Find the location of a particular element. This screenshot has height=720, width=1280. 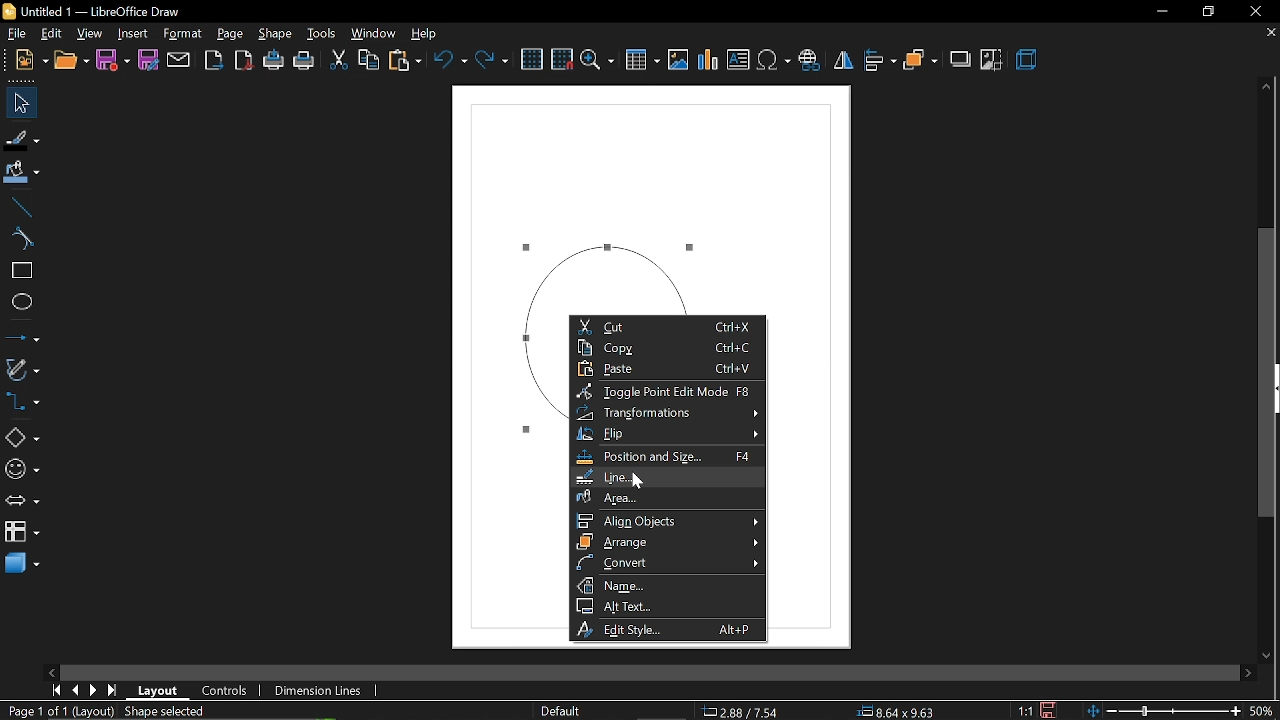

page style (Default) is located at coordinates (565, 710).